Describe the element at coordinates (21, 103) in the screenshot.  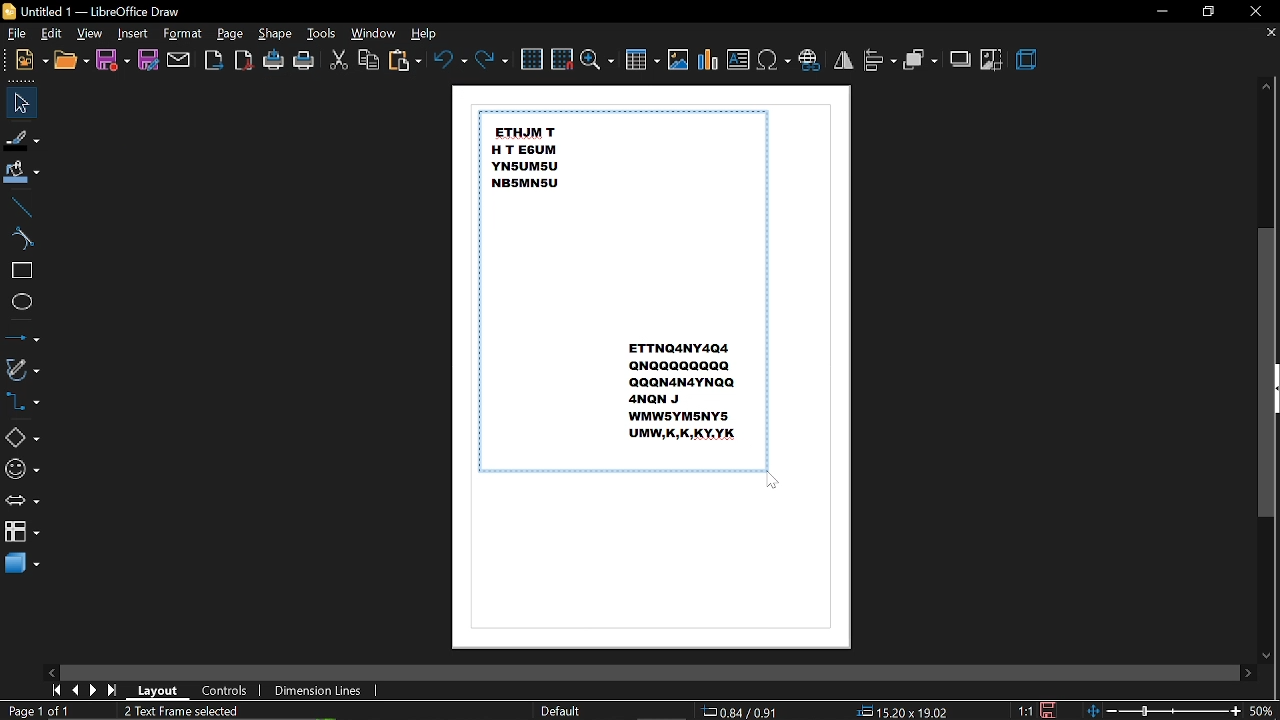
I see `select` at that location.